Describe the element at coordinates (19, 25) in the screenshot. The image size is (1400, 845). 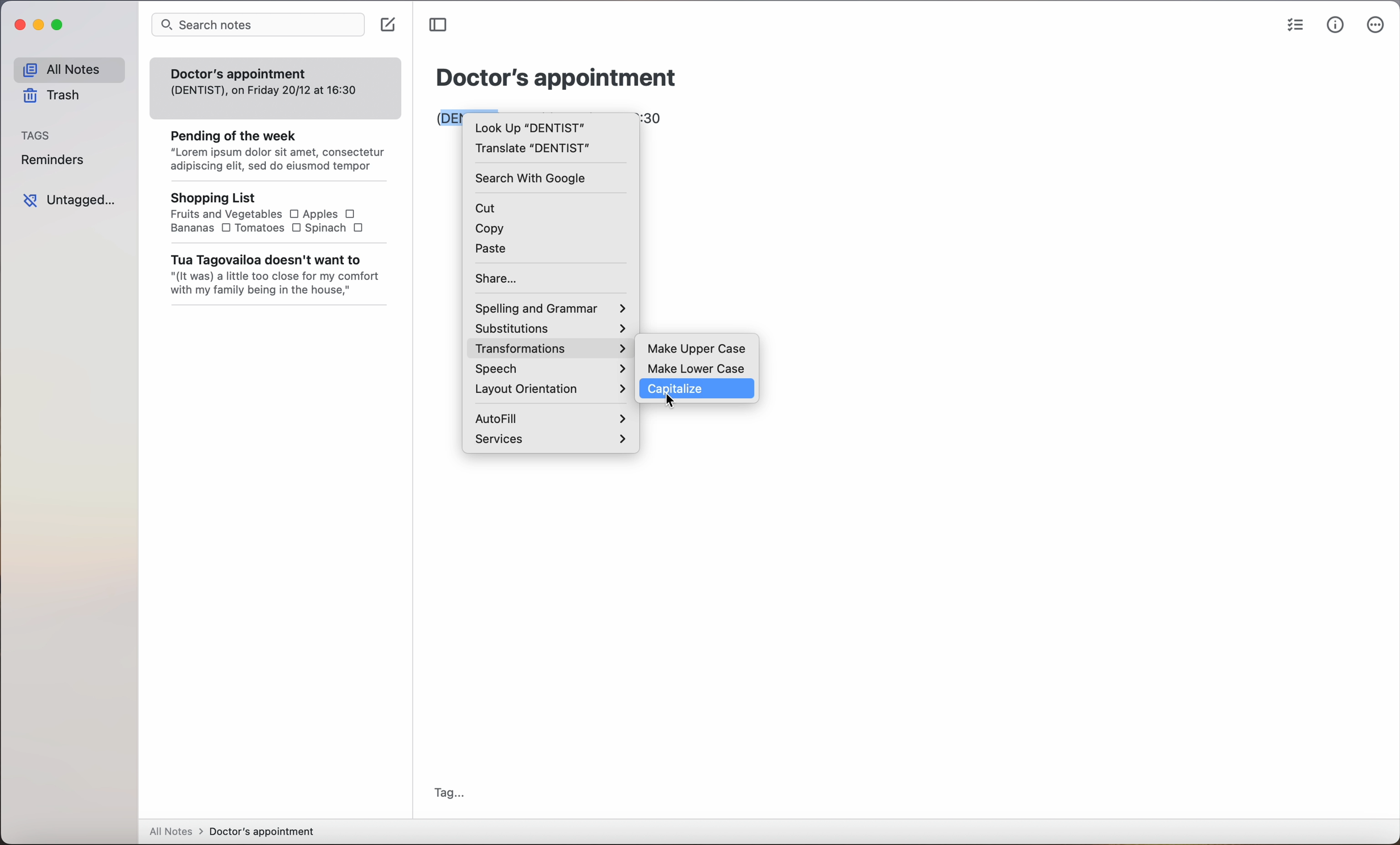
I see `close app` at that location.